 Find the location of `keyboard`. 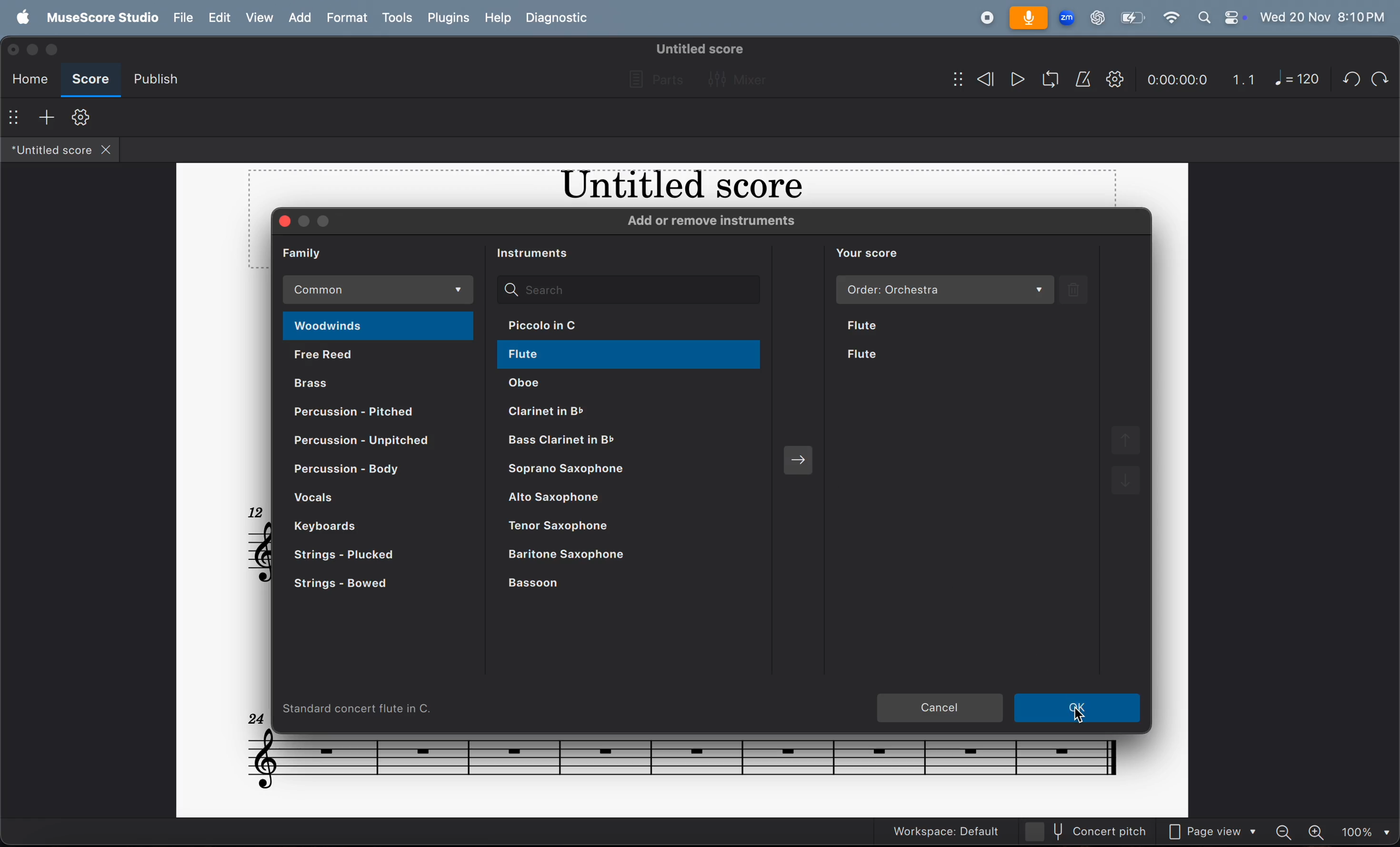

keyboard is located at coordinates (354, 526).